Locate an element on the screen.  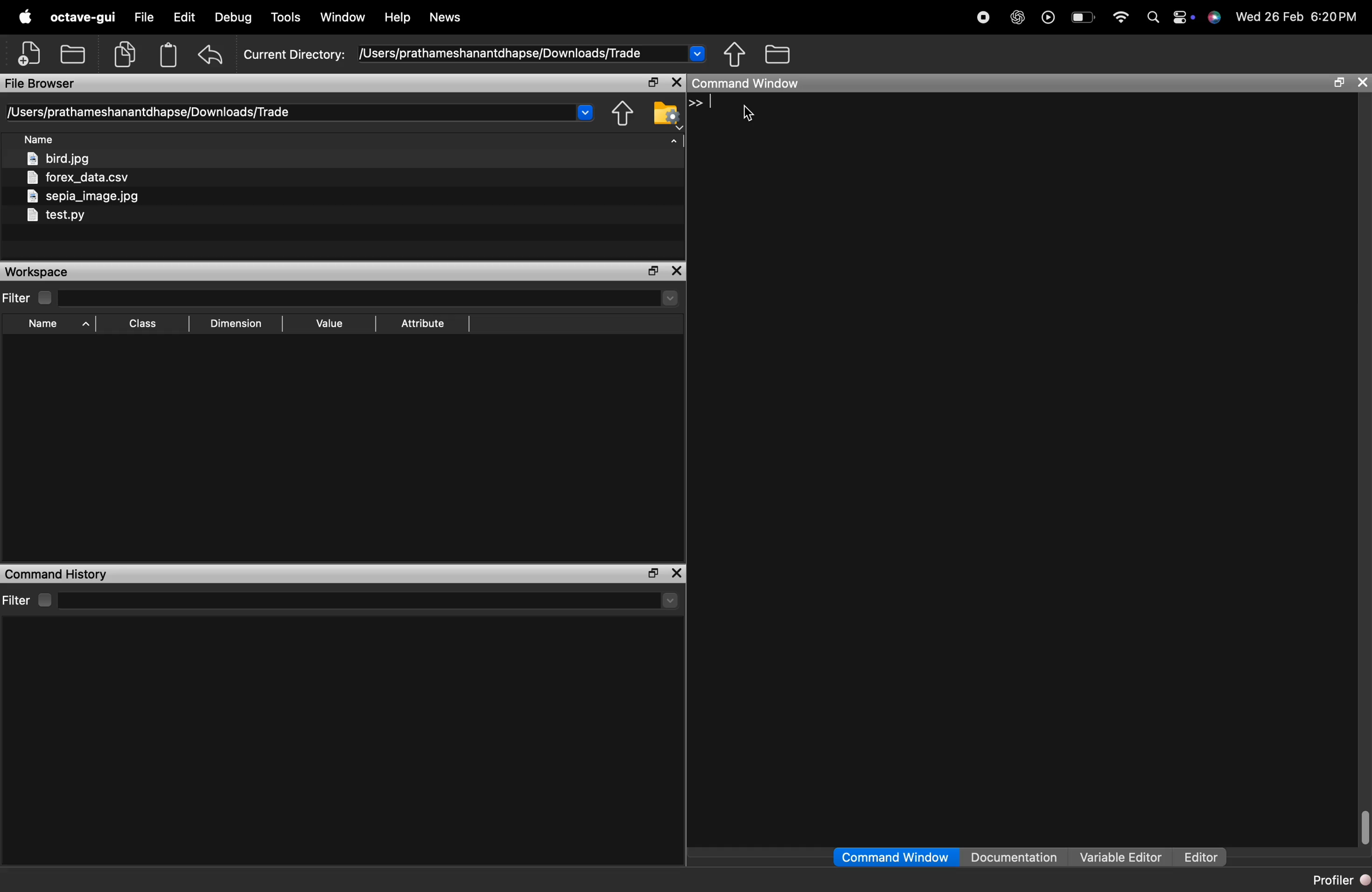
wifi is located at coordinates (1121, 17).